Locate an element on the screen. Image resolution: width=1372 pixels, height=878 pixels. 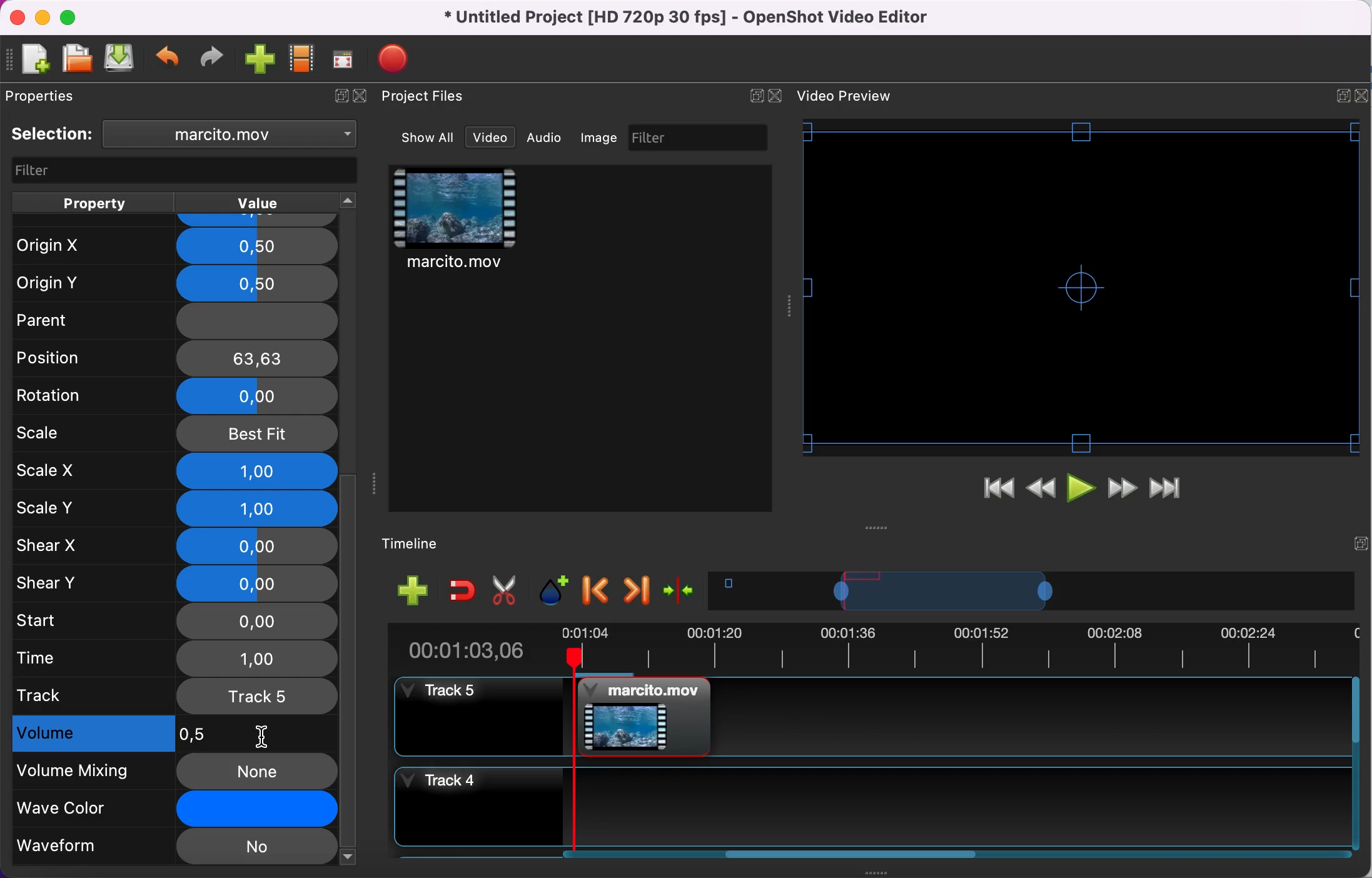
cut is located at coordinates (505, 591).